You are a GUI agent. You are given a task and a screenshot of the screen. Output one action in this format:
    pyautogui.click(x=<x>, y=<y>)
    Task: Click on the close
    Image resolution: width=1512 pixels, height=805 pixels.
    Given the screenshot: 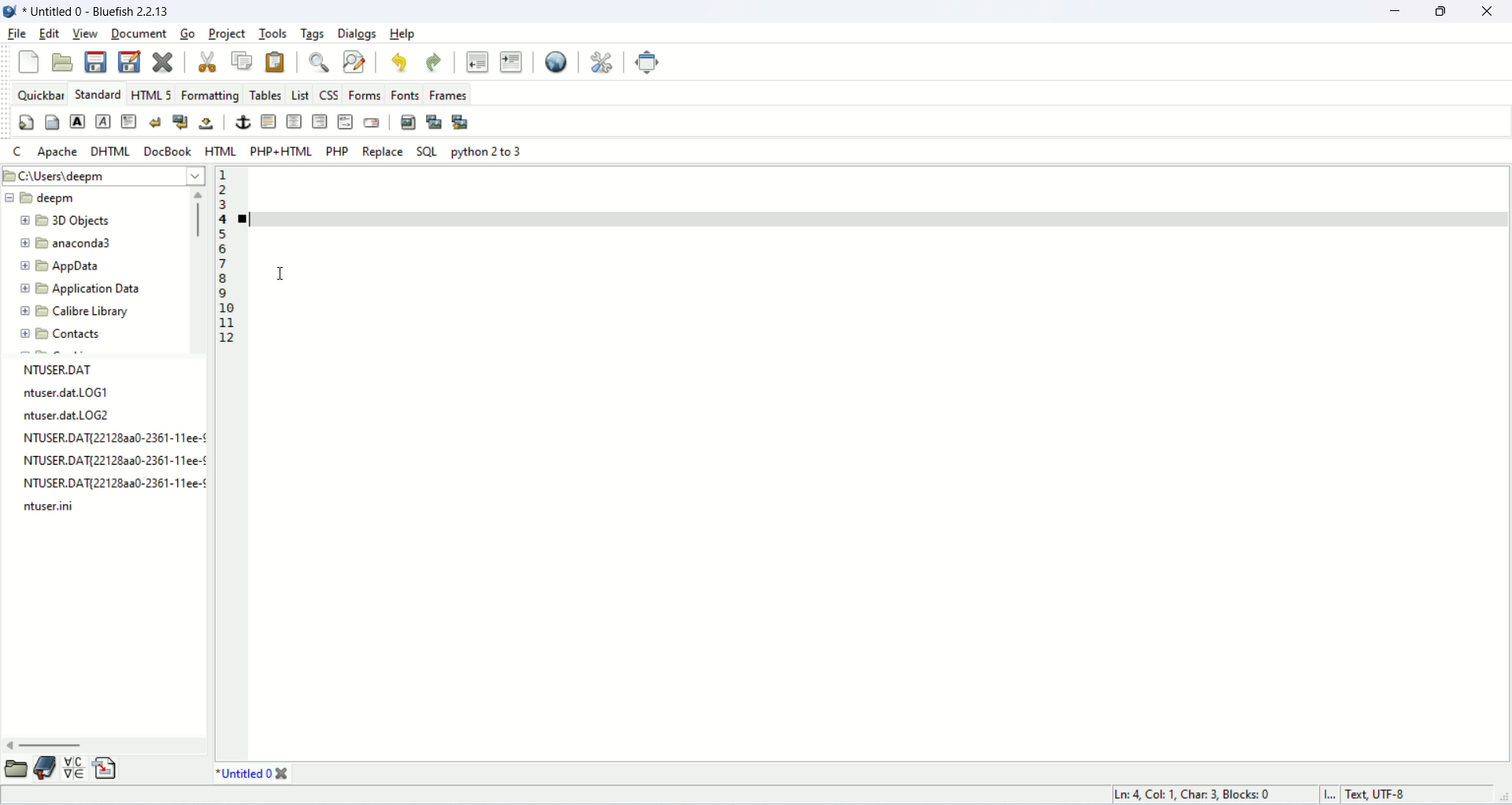 What is the action you would take?
    pyautogui.click(x=283, y=774)
    